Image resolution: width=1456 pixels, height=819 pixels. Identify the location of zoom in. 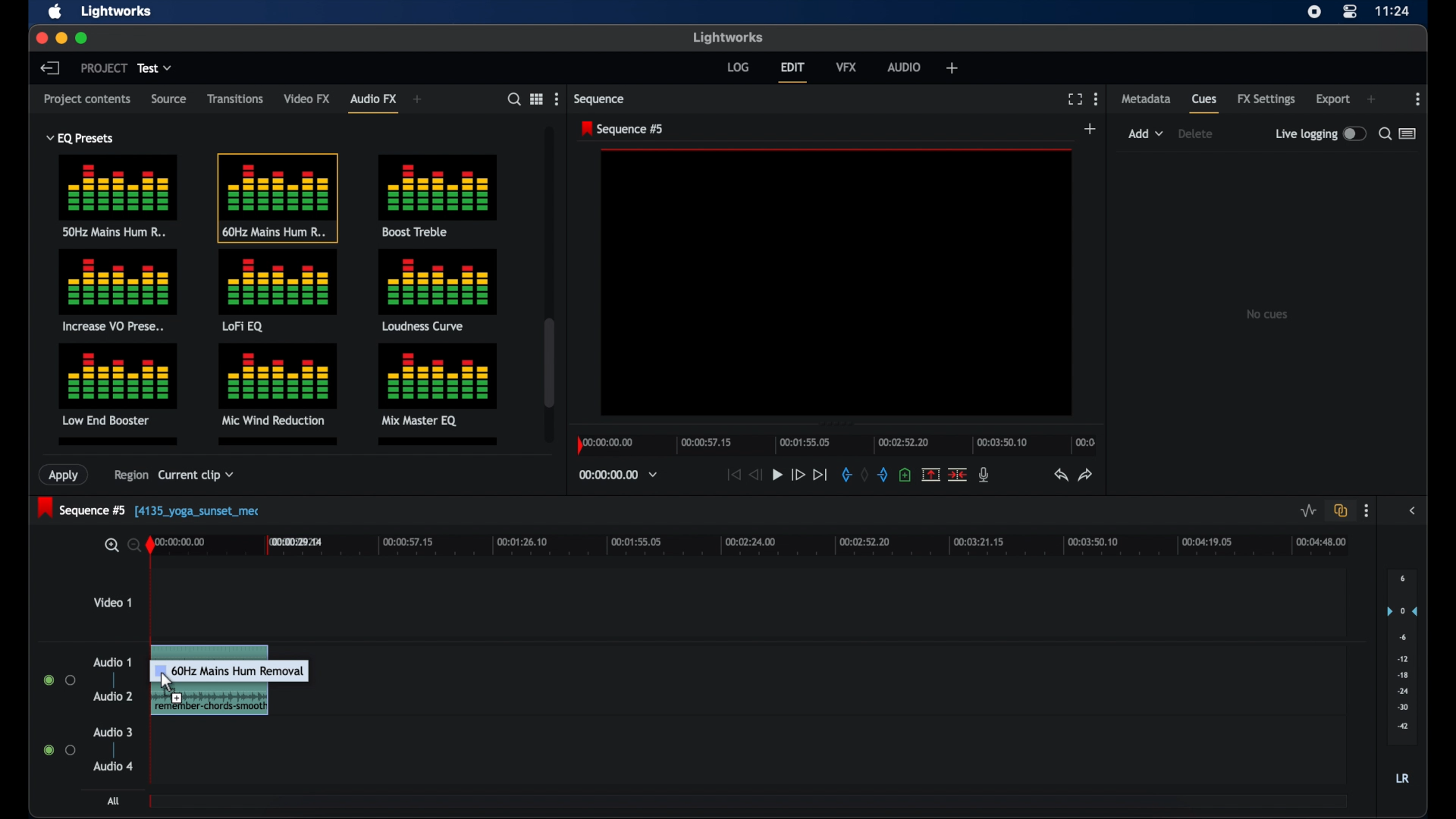
(109, 545).